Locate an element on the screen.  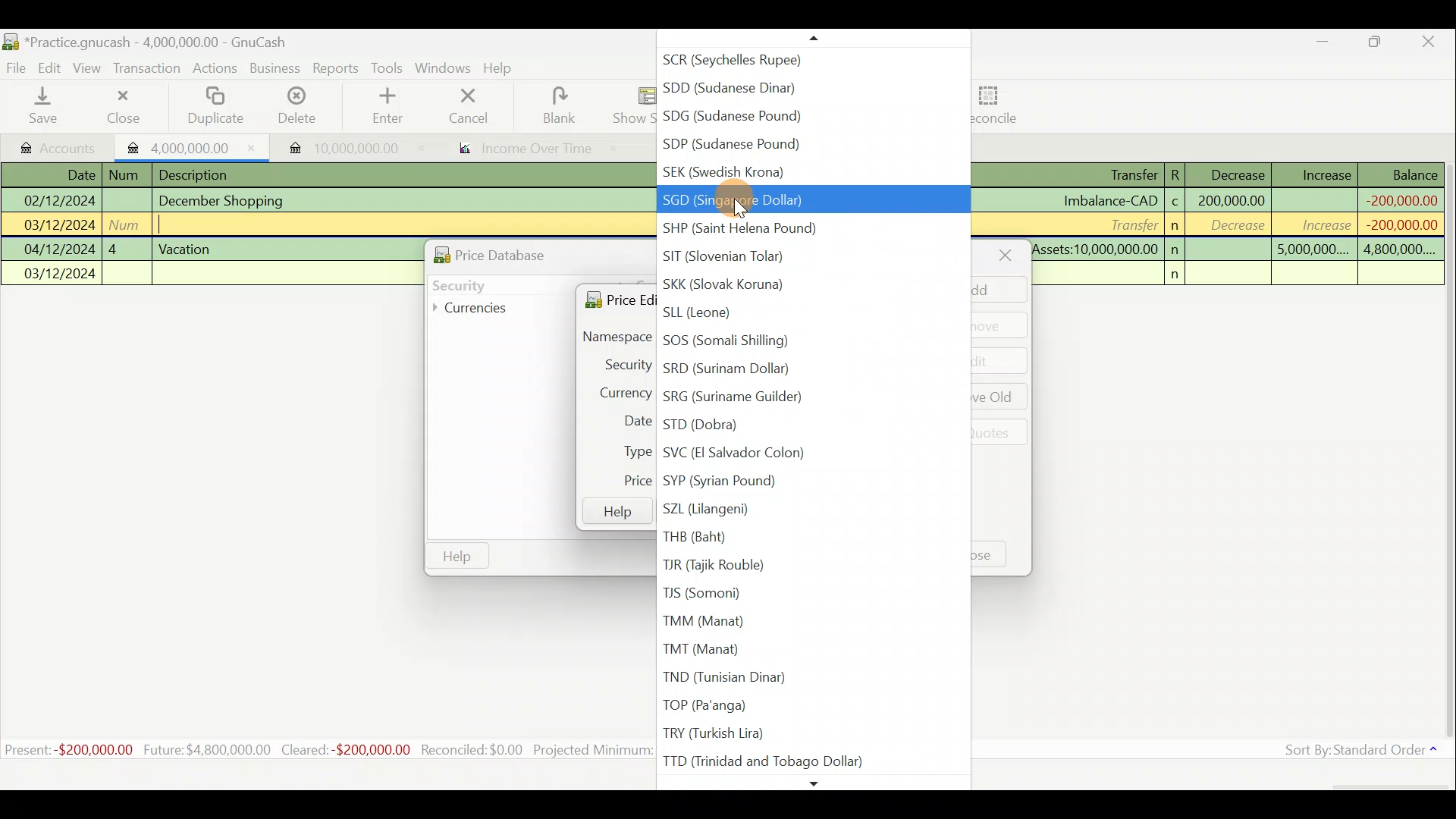
close is located at coordinates (1005, 255).